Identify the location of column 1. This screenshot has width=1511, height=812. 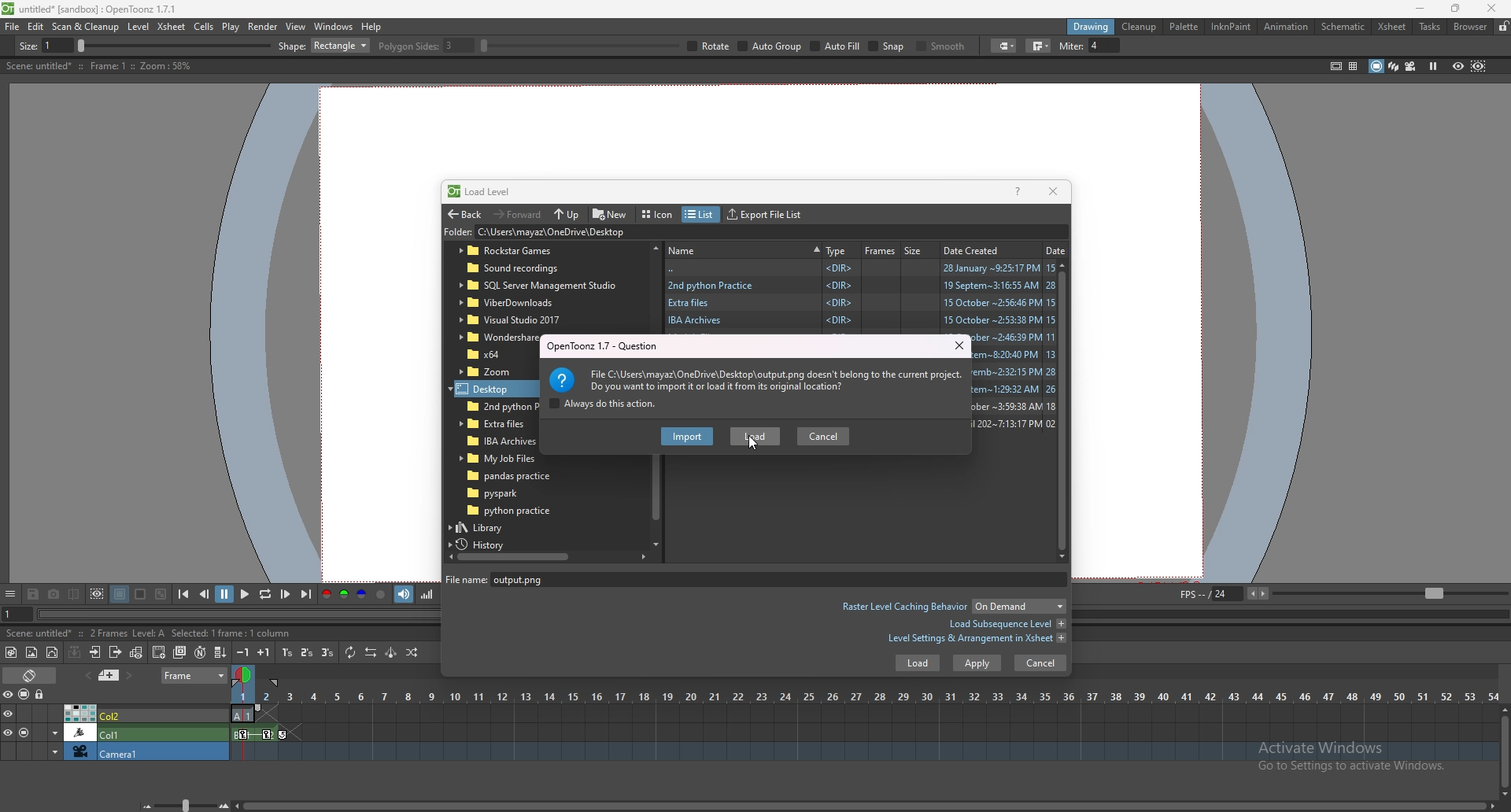
(115, 732).